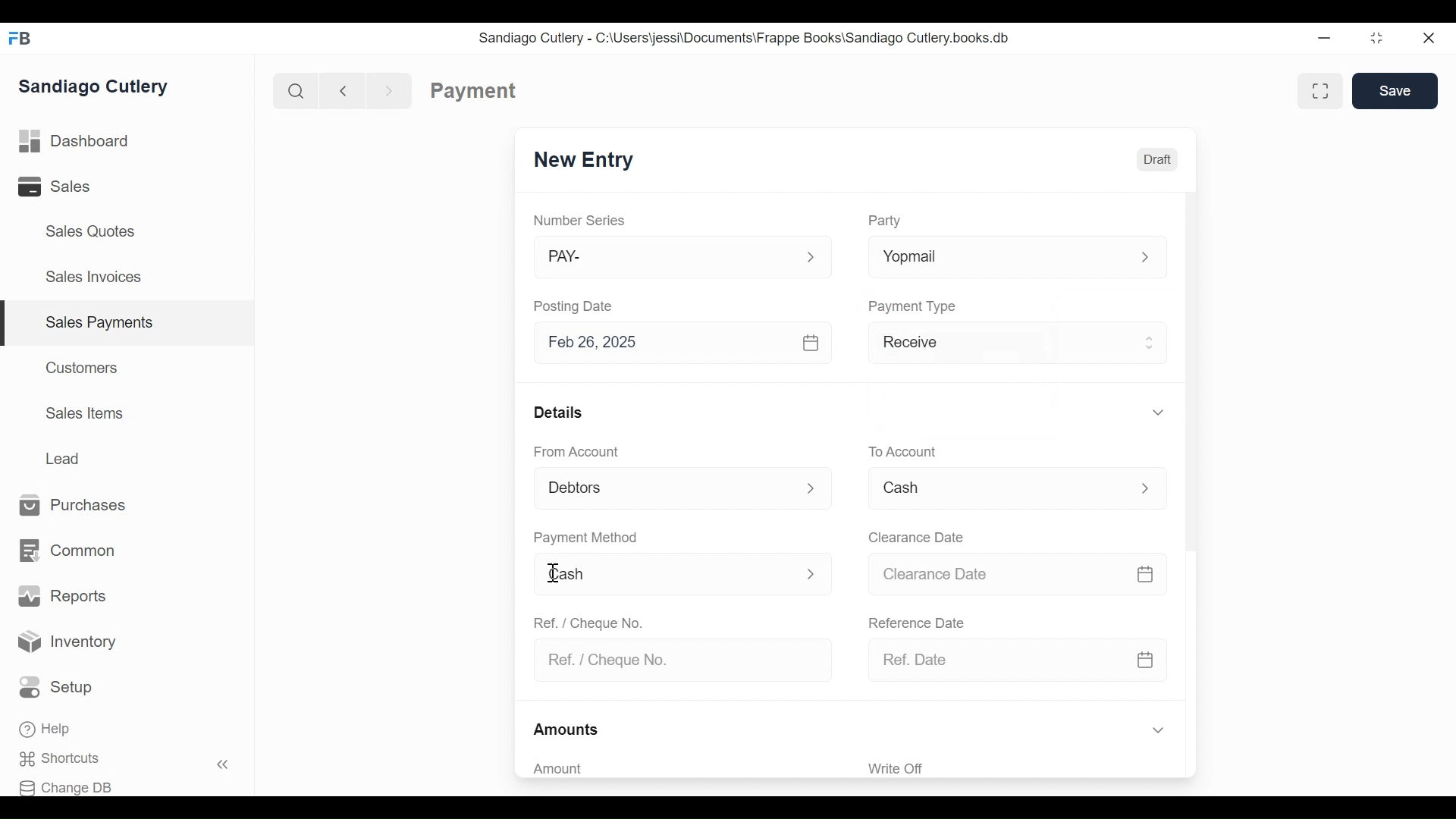 The image size is (1456, 819). What do you see at coordinates (997, 345) in the screenshot?
I see `Receive` at bounding box center [997, 345].